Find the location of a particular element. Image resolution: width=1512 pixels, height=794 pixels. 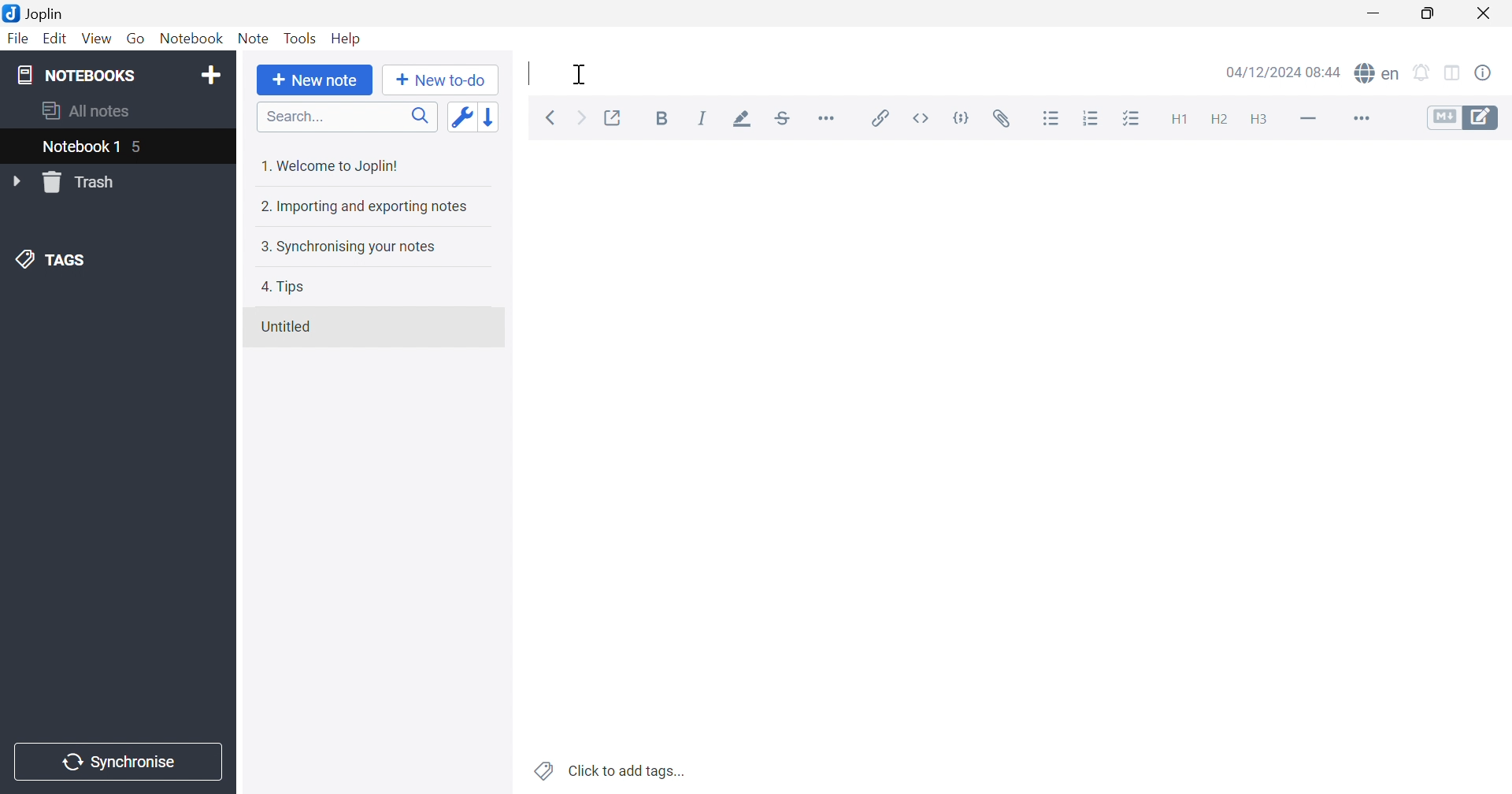

3. Synchronising your notes is located at coordinates (353, 248).